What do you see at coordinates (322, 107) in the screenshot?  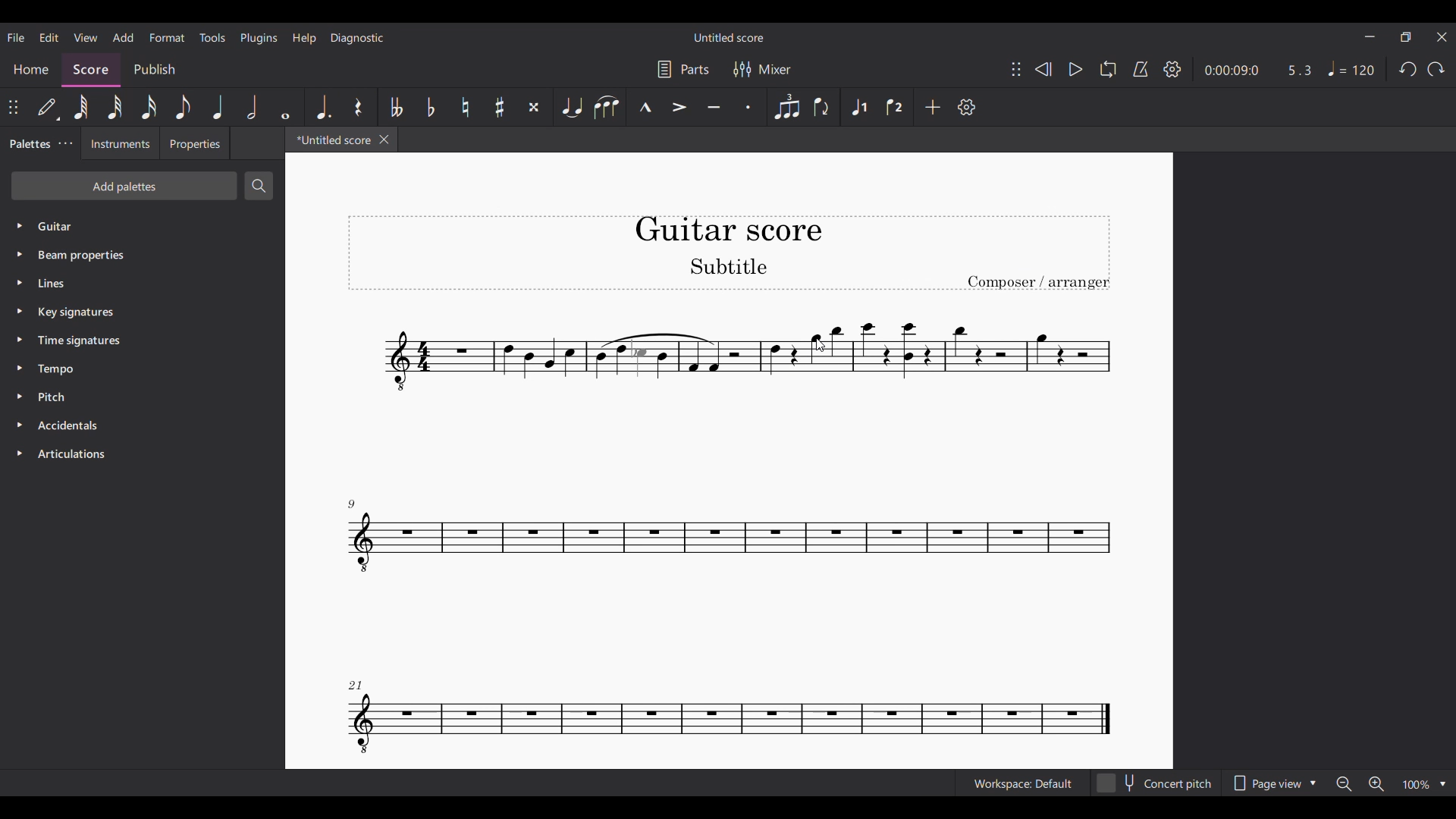 I see `Augmentation dot` at bounding box center [322, 107].